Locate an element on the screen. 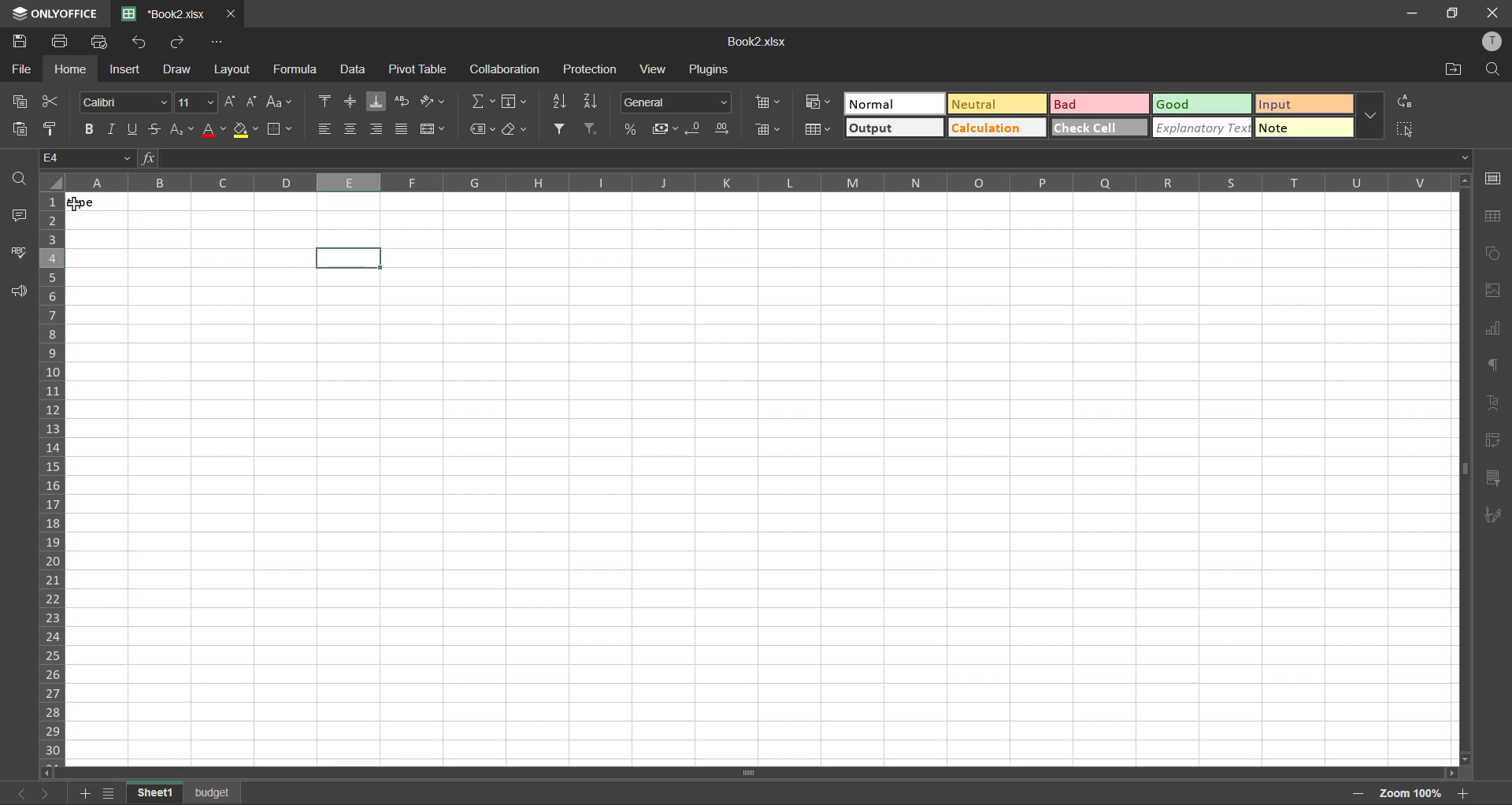 The width and height of the screenshot is (1512, 805). collaboration is located at coordinates (502, 72).